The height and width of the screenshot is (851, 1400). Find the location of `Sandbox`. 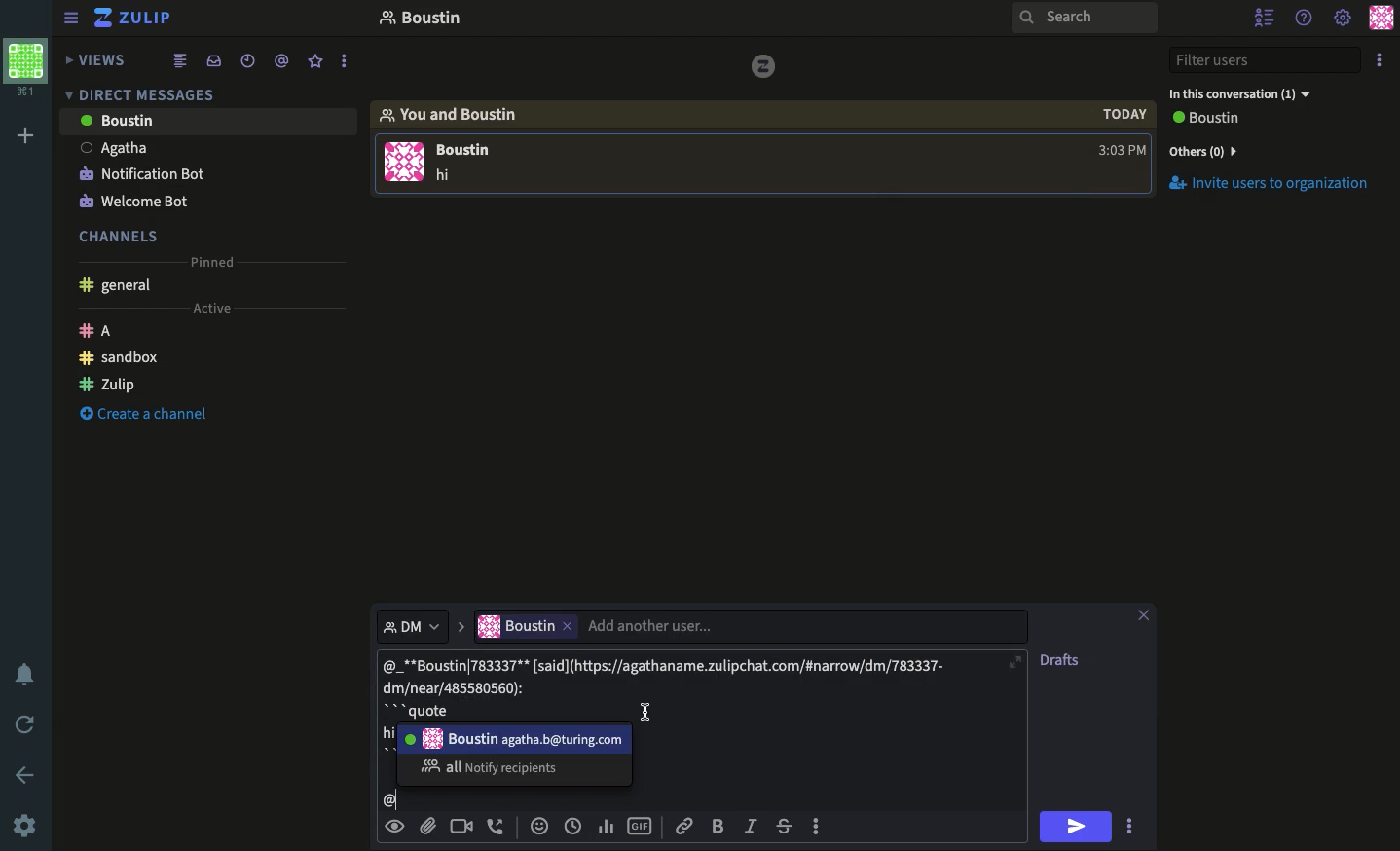

Sandbox is located at coordinates (122, 357).